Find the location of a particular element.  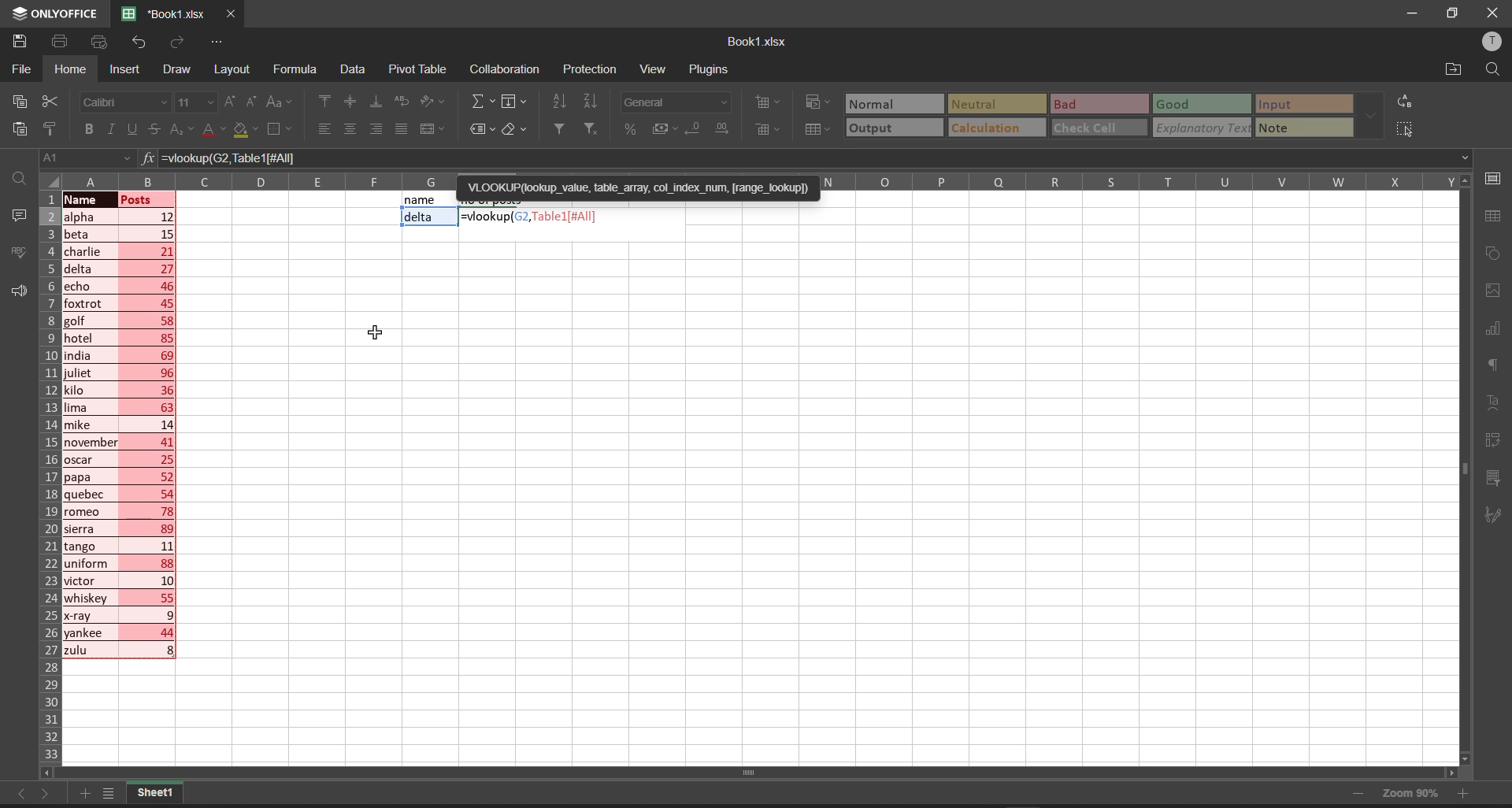

user profile is located at coordinates (1494, 41).